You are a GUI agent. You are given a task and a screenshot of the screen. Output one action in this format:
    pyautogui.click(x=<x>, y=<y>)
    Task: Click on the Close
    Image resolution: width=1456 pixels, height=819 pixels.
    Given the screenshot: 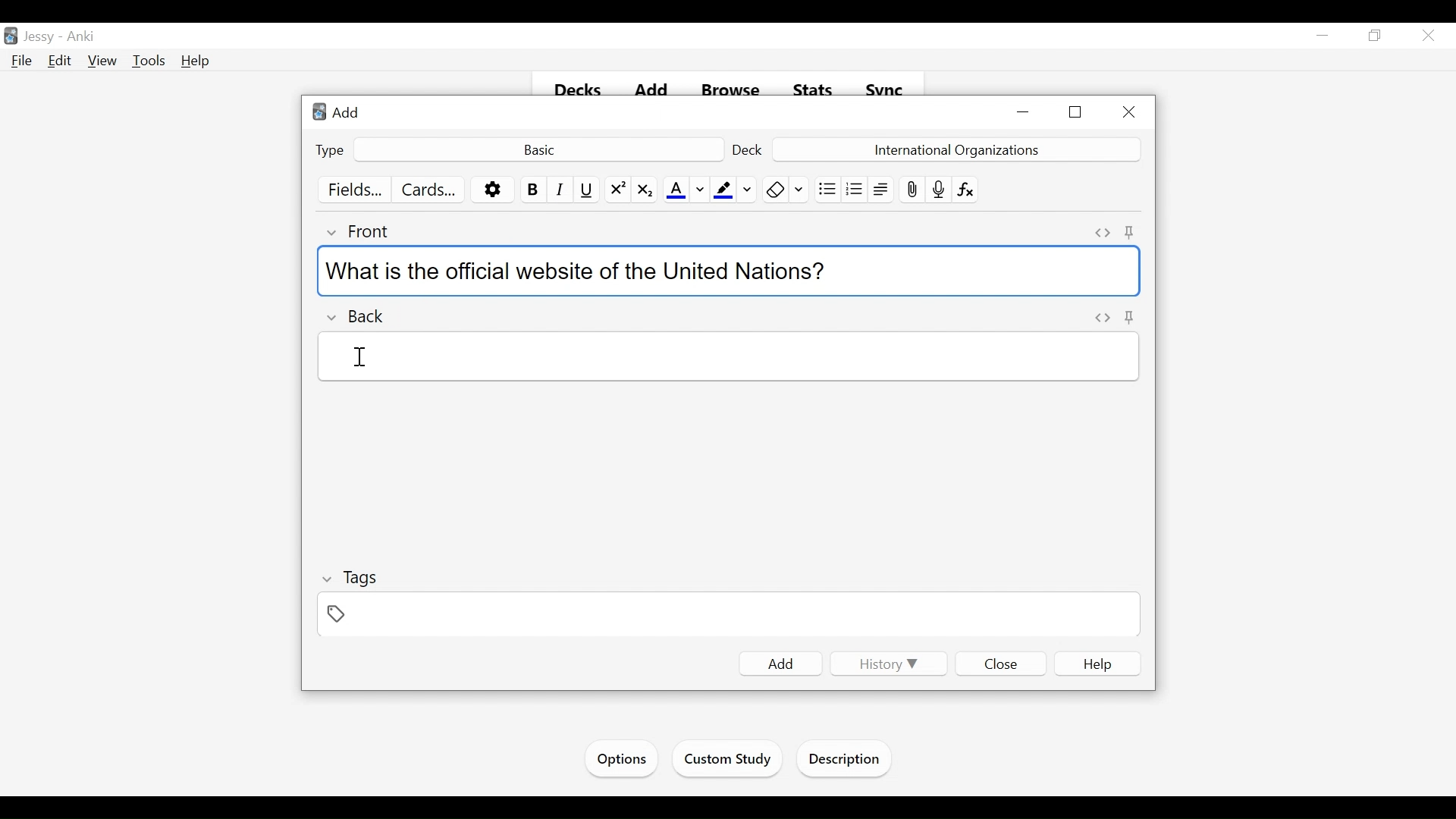 What is the action you would take?
    pyautogui.click(x=1000, y=664)
    